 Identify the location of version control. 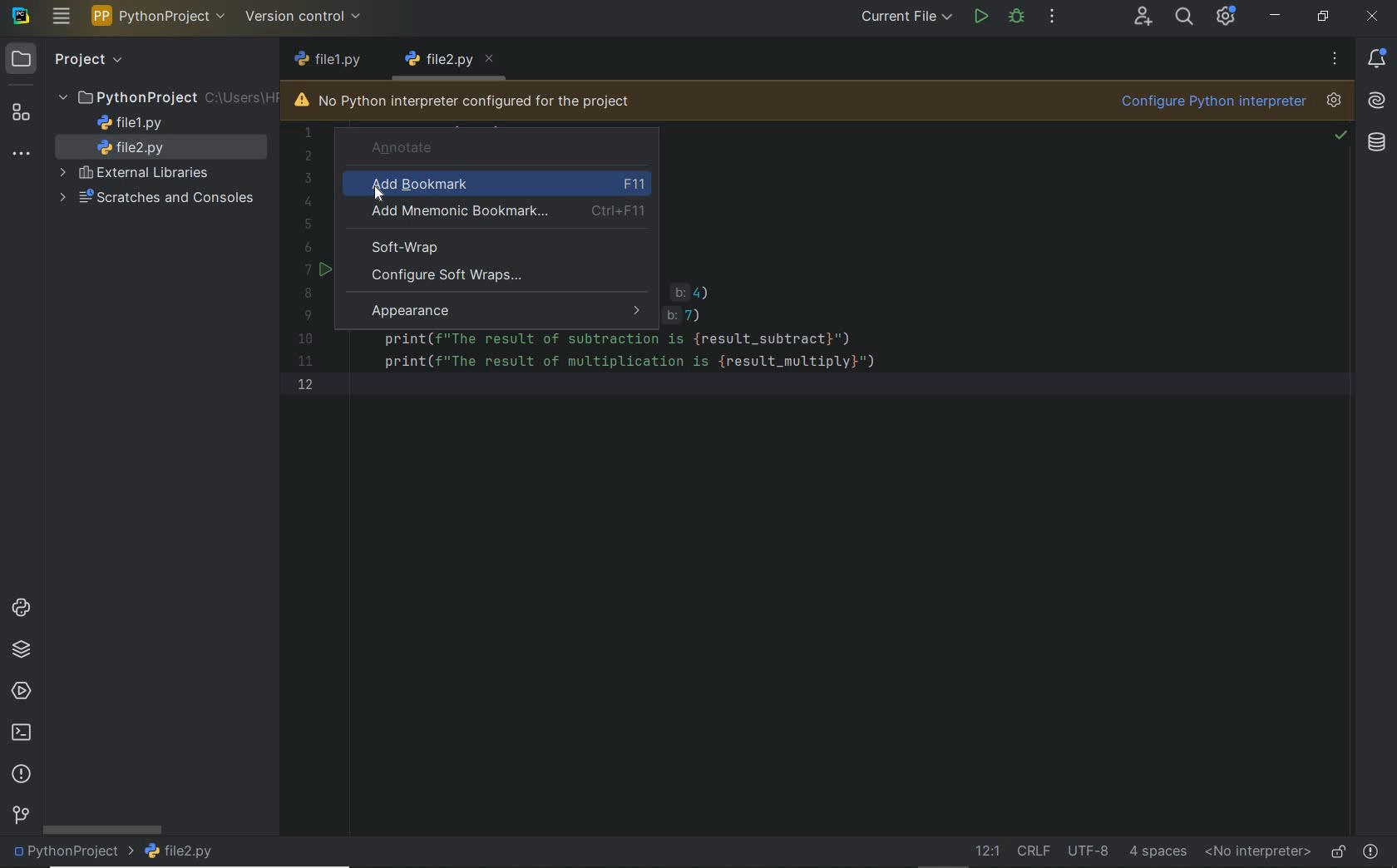
(18, 816).